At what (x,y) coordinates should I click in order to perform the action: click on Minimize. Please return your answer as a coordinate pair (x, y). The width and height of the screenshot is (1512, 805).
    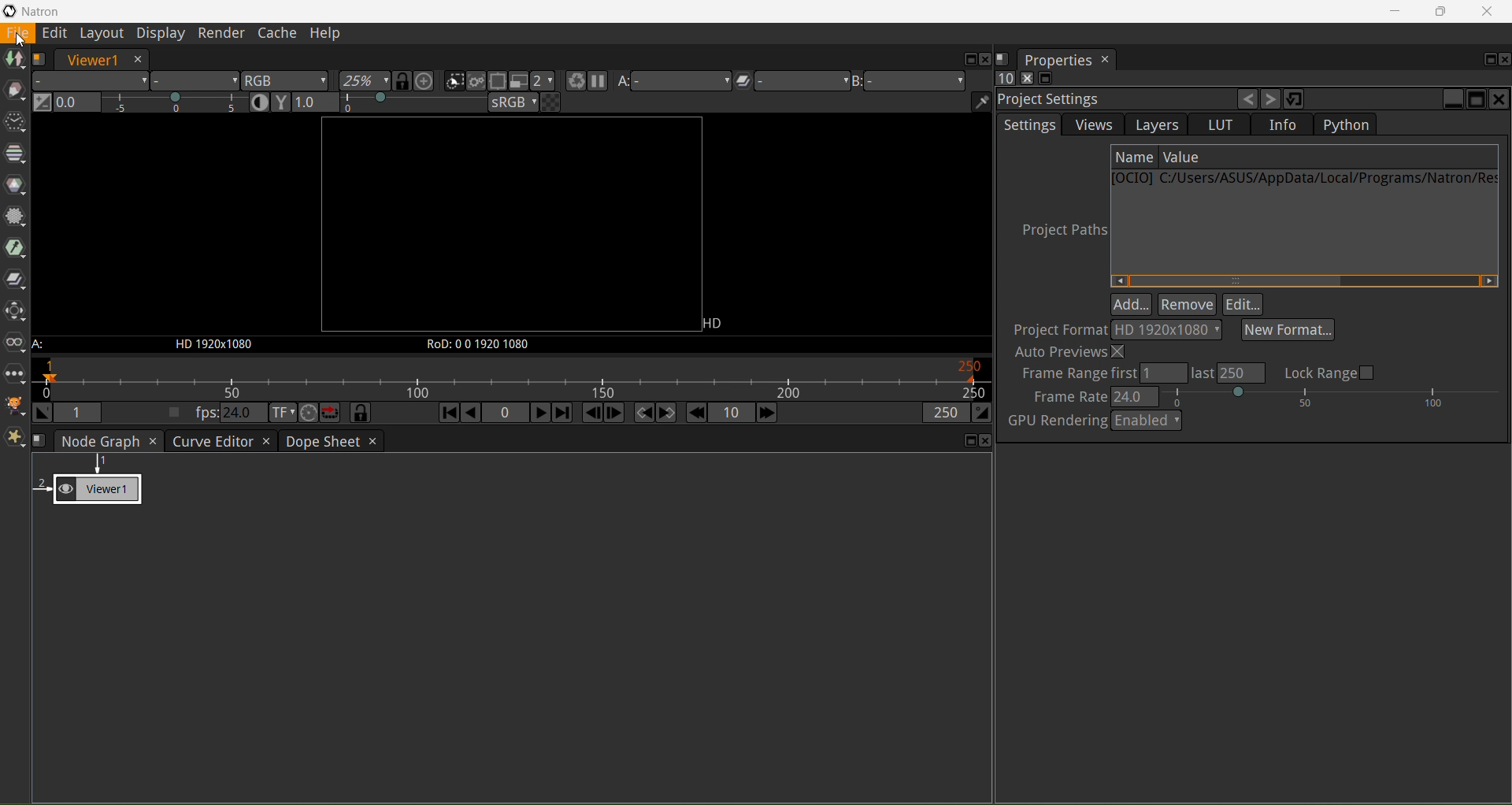
    Looking at the image, I should click on (1395, 9).